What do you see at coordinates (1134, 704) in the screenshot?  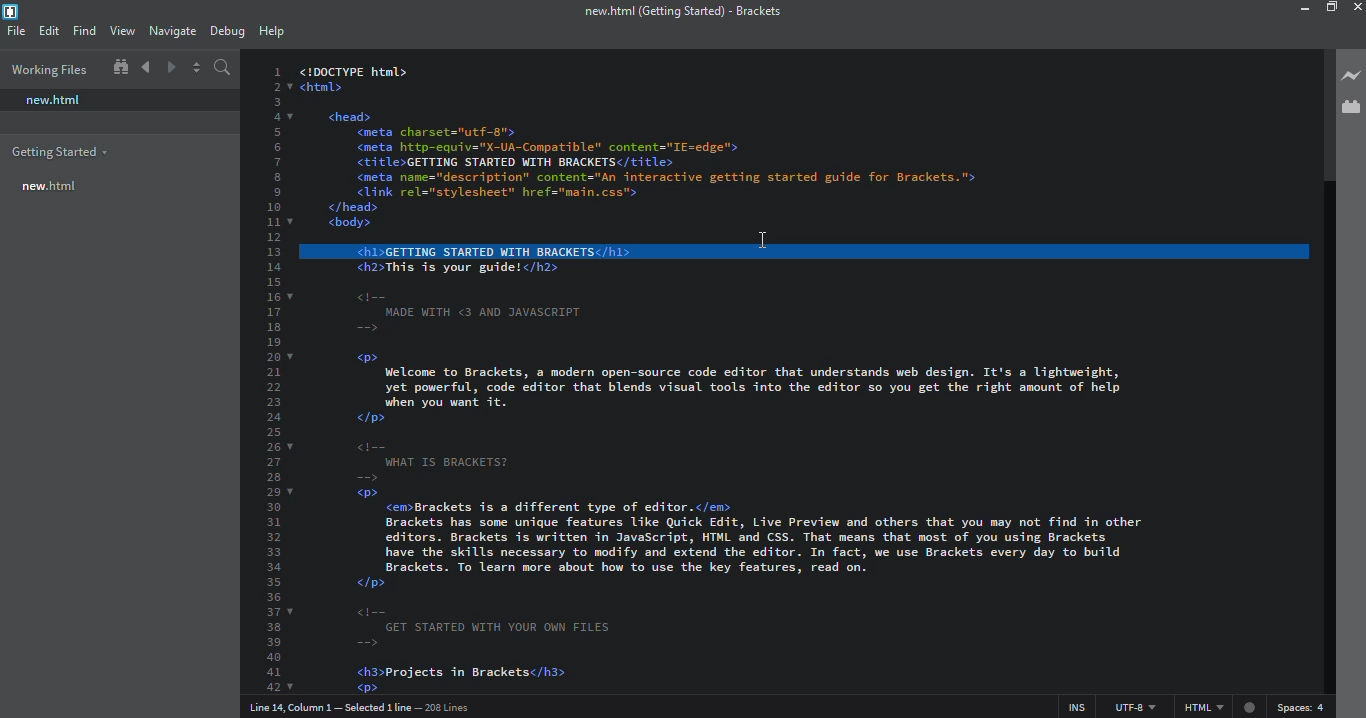 I see `utf 8` at bounding box center [1134, 704].